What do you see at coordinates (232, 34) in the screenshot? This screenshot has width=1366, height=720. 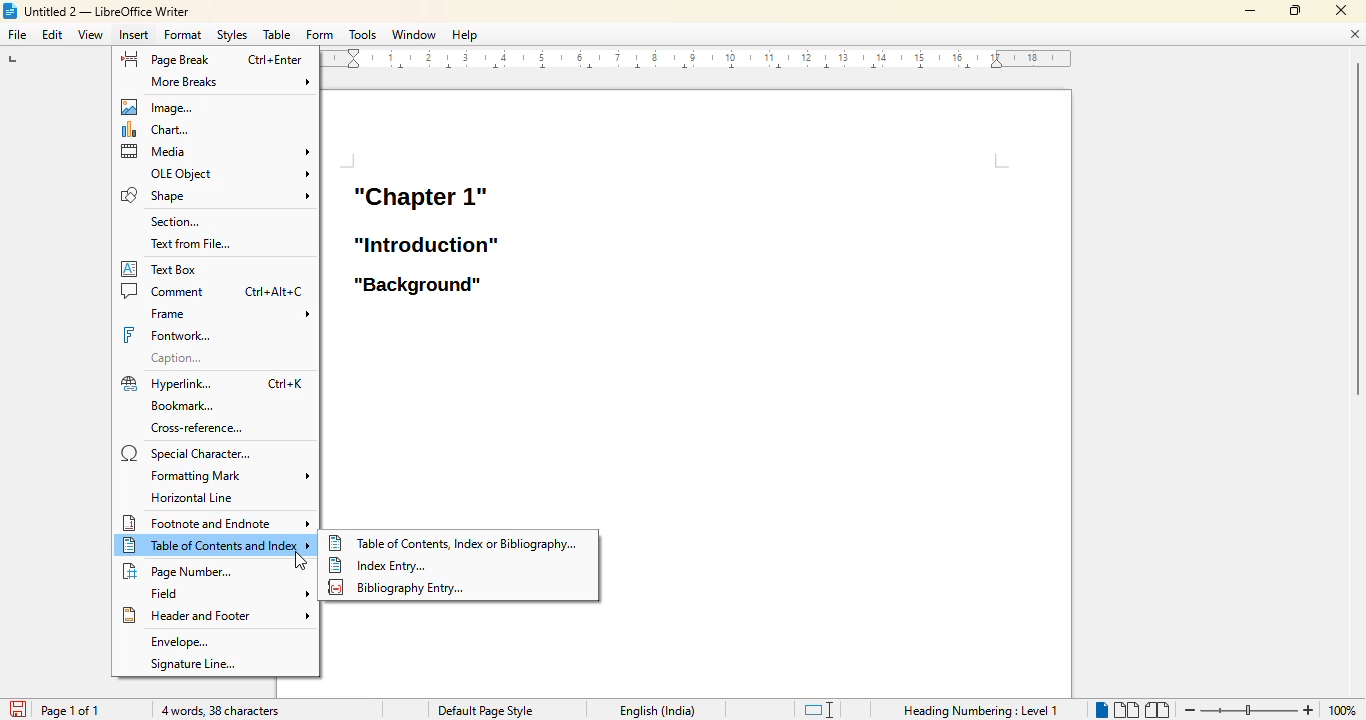 I see `styles` at bounding box center [232, 34].